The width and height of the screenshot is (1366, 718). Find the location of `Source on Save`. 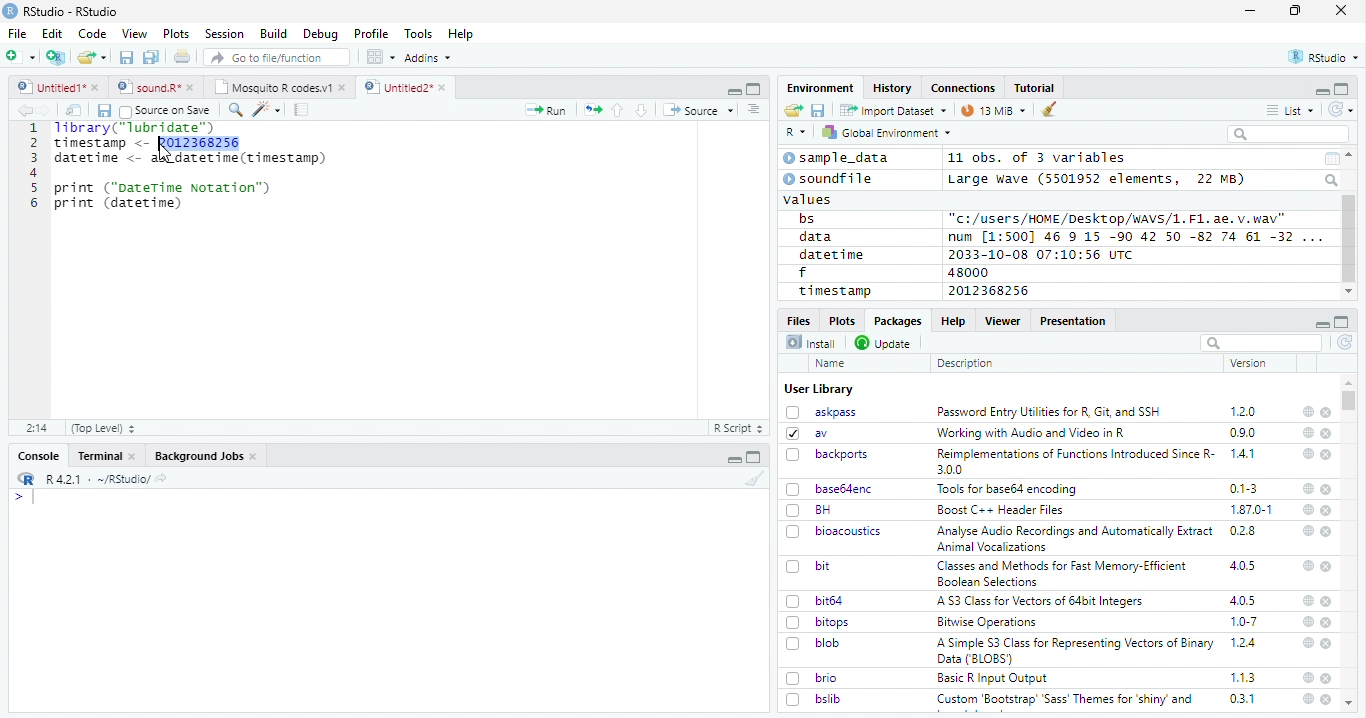

Source on Save is located at coordinates (164, 110).